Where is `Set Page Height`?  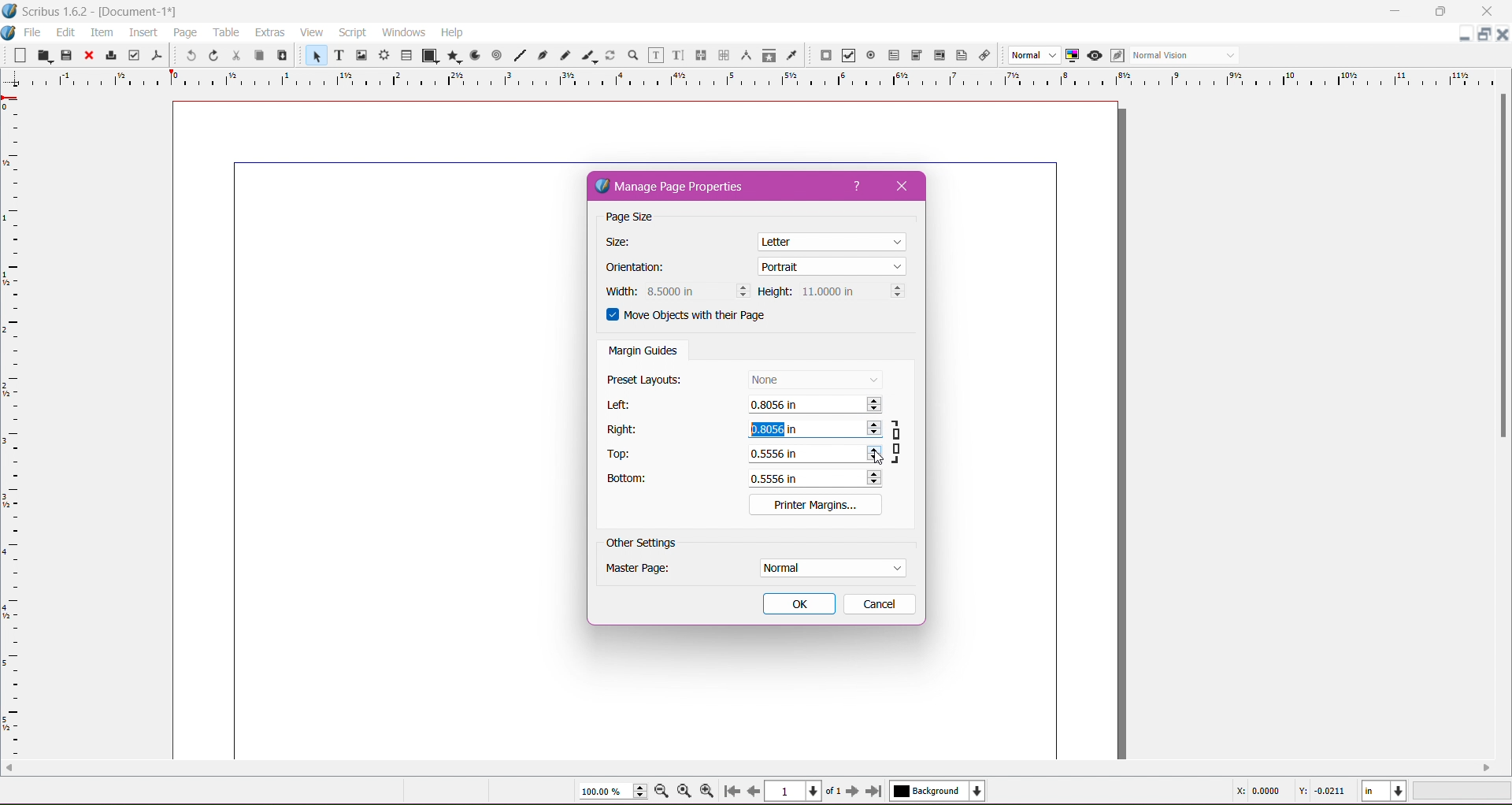 Set Page Height is located at coordinates (851, 292).